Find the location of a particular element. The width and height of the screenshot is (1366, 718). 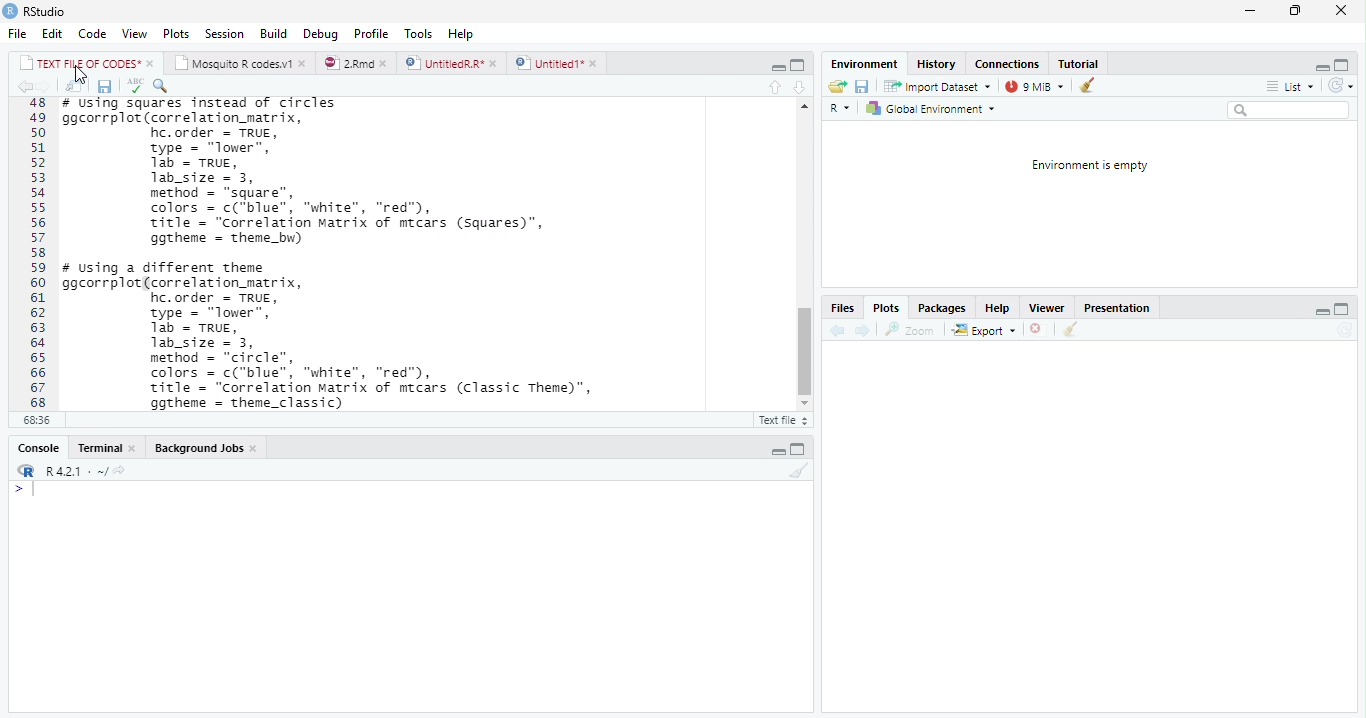

Export  is located at coordinates (983, 330).